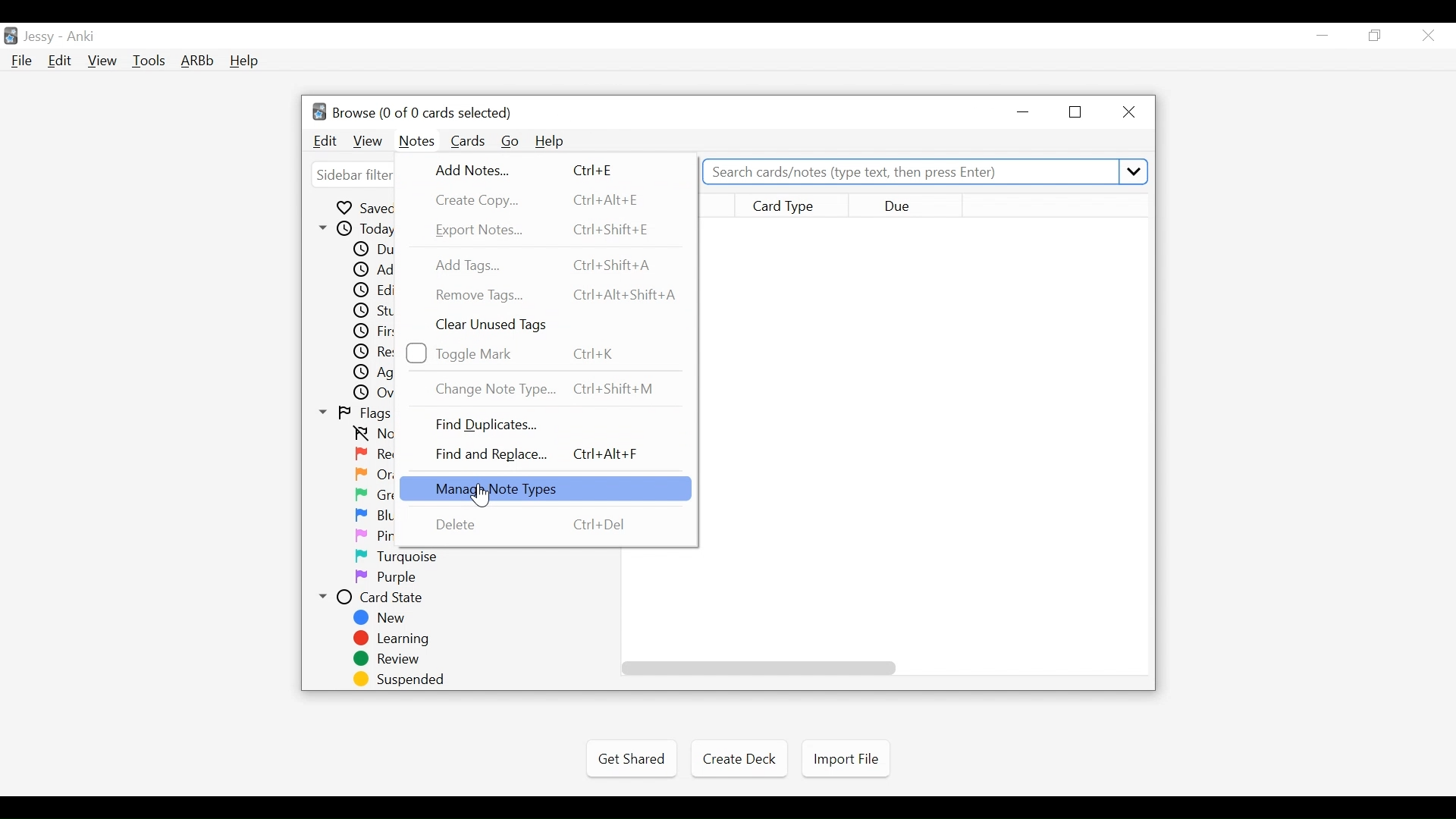 This screenshot has width=1456, height=819. Describe the element at coordinates (81, 36) in the screenshot. I see `Anki` at that location.